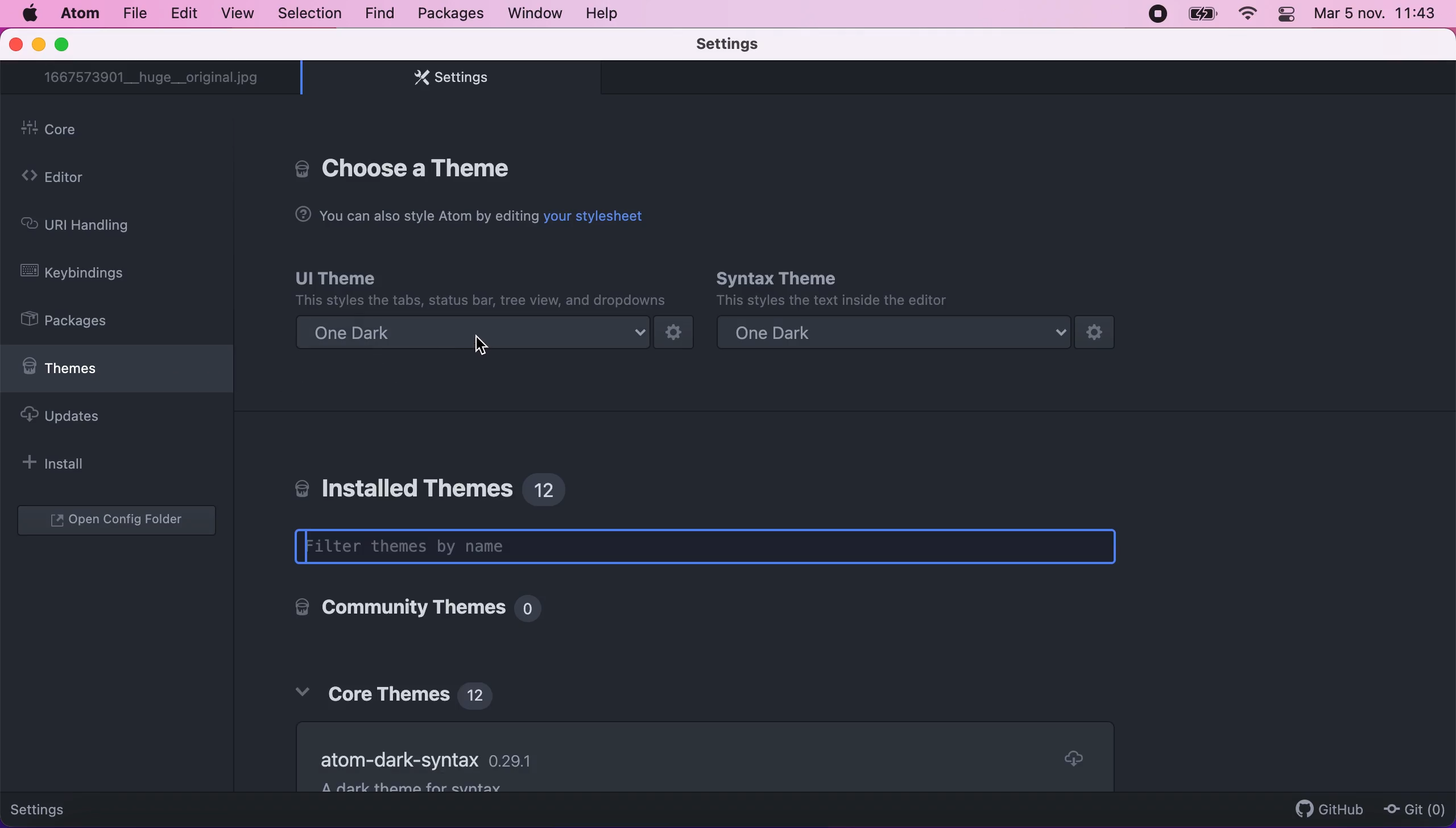 Image resolution: width=1456 pixels, height=828 pixels. What do you see at coordinates (734, 45) in the screenshot?
I see `settings` at bounding box center [734, 45].